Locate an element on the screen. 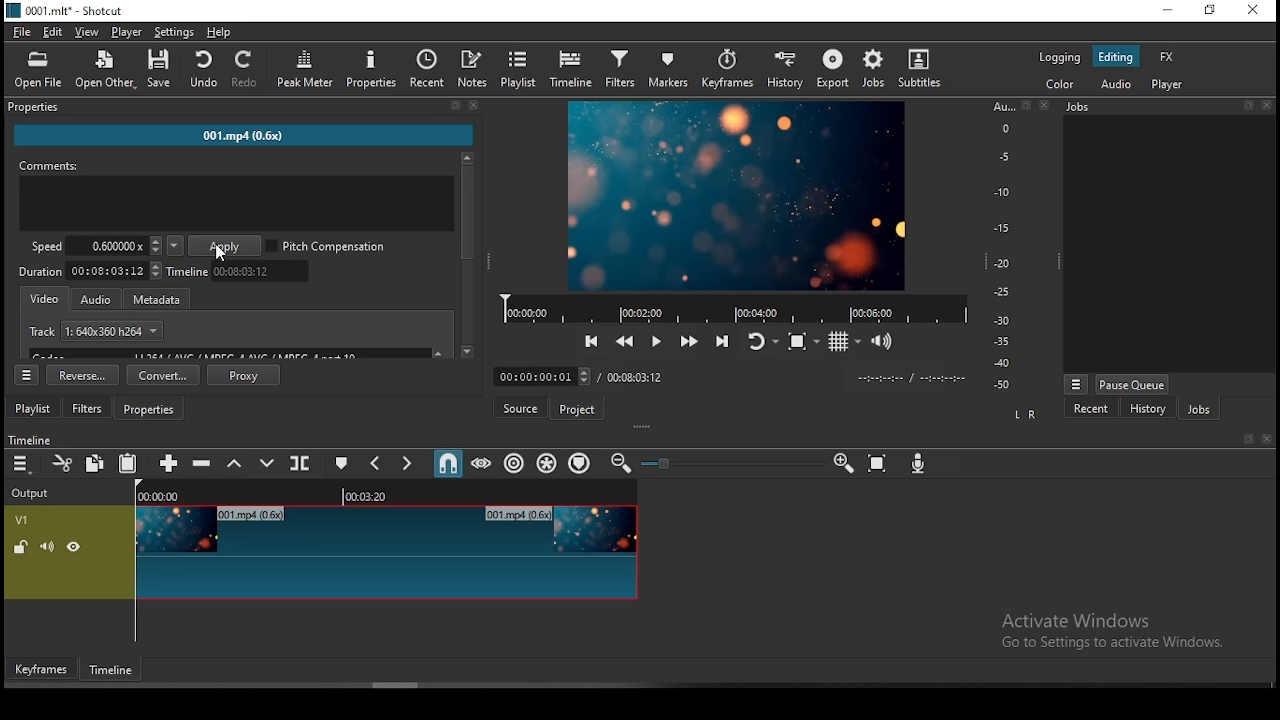 The image size is (1280, 720). edit is located at coordinates (57, 32).